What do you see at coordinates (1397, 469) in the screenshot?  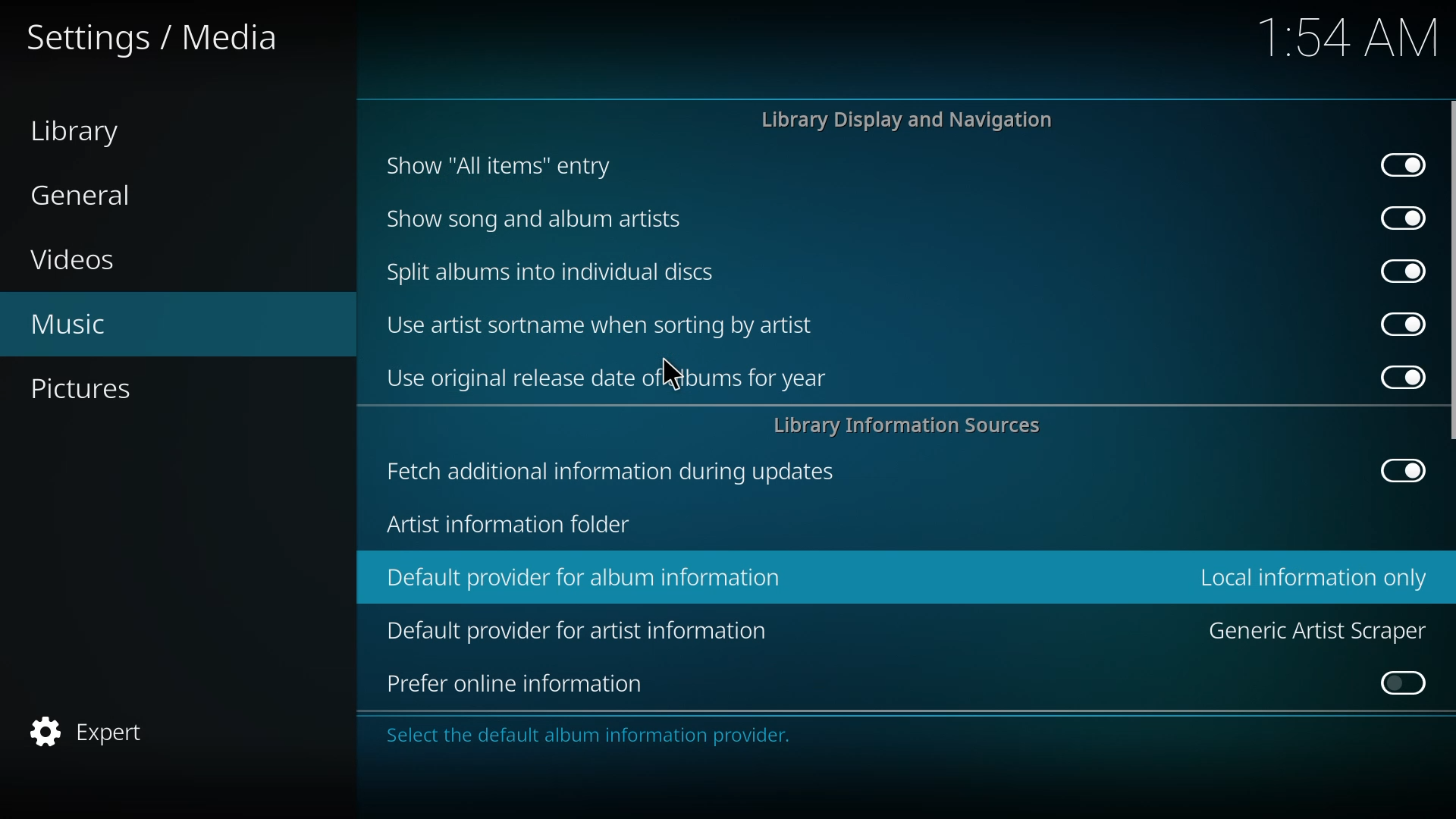 I see `enabled` at bounding box center [1397, 469].